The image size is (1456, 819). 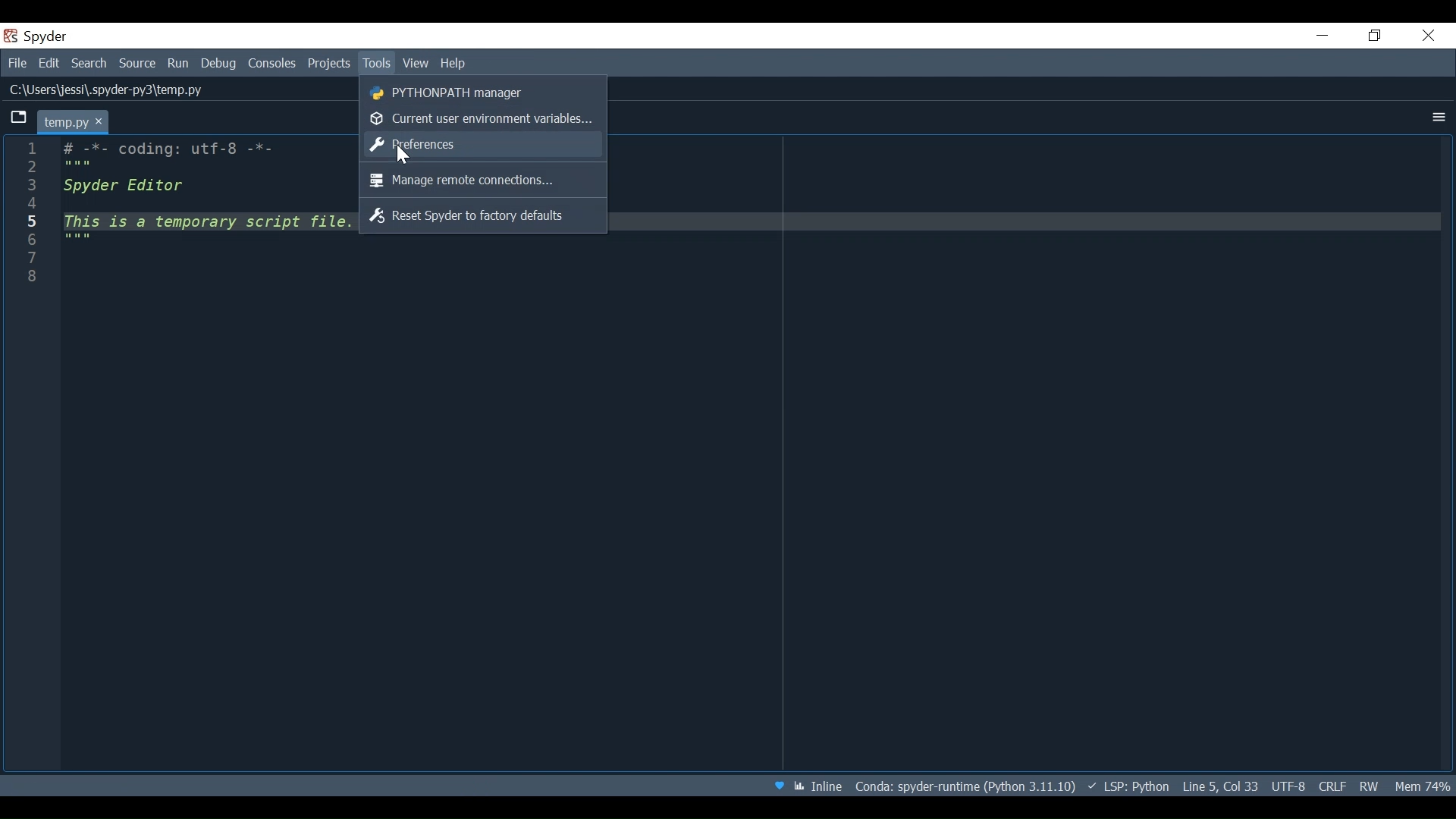 I want to click on Reset Spyder to factory defaults, so click(x=477, y=218).